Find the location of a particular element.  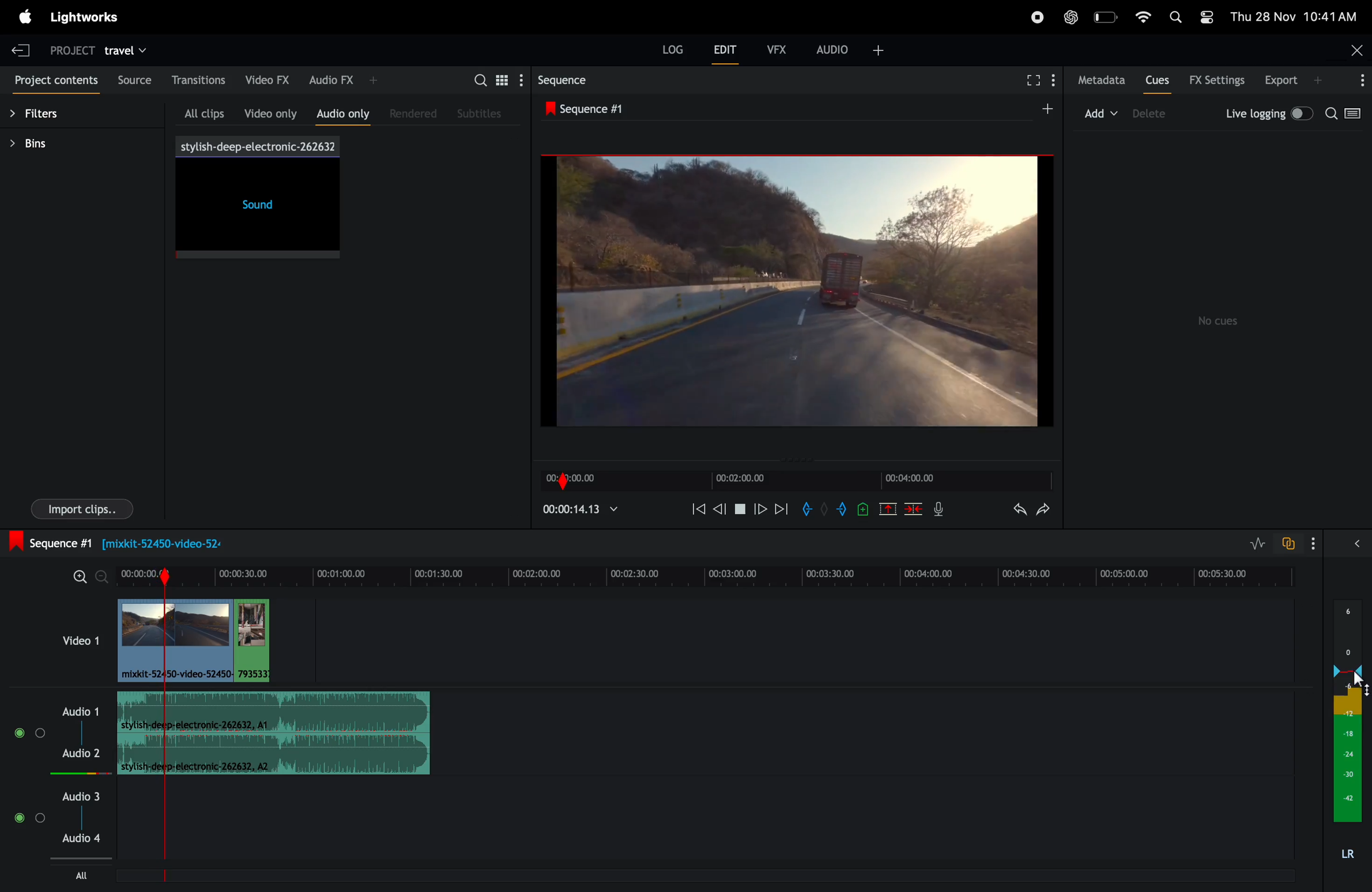

cursor is located at coordinates (1359, 683).